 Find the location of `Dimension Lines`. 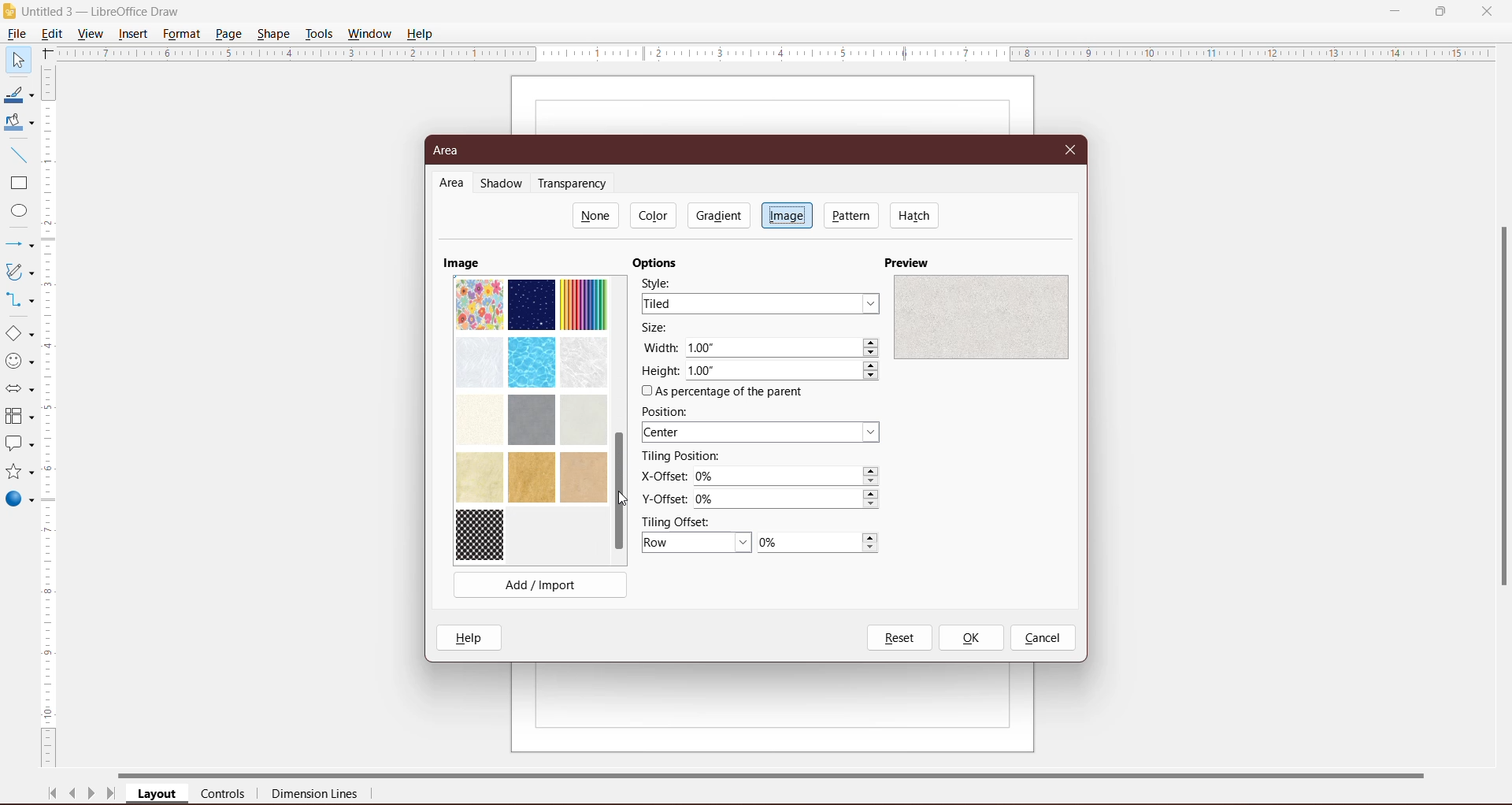

Dimension Lines is located at coordinates (316, 796).